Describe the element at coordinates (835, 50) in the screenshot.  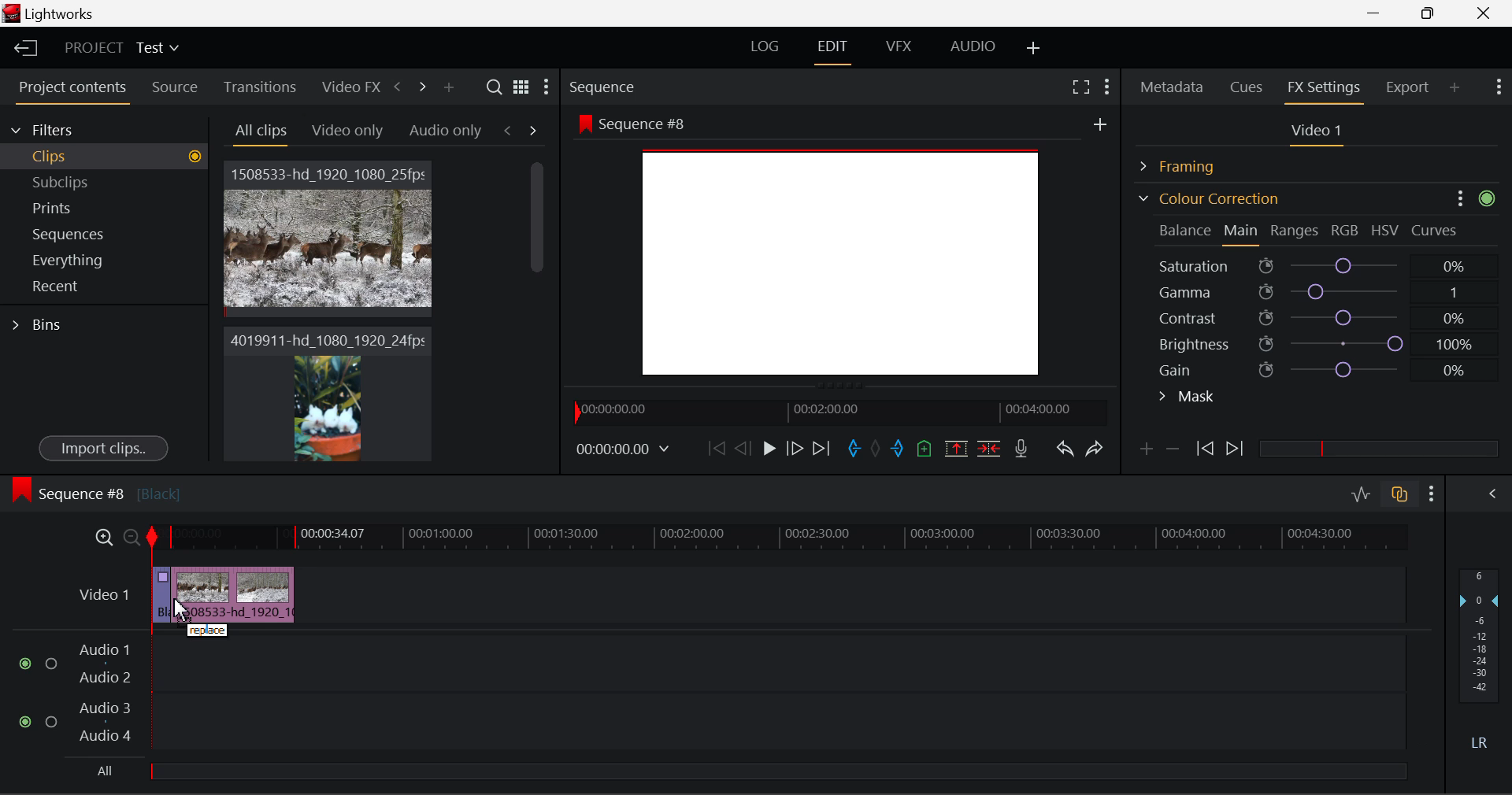
I see `EDIT Layout` at that location.